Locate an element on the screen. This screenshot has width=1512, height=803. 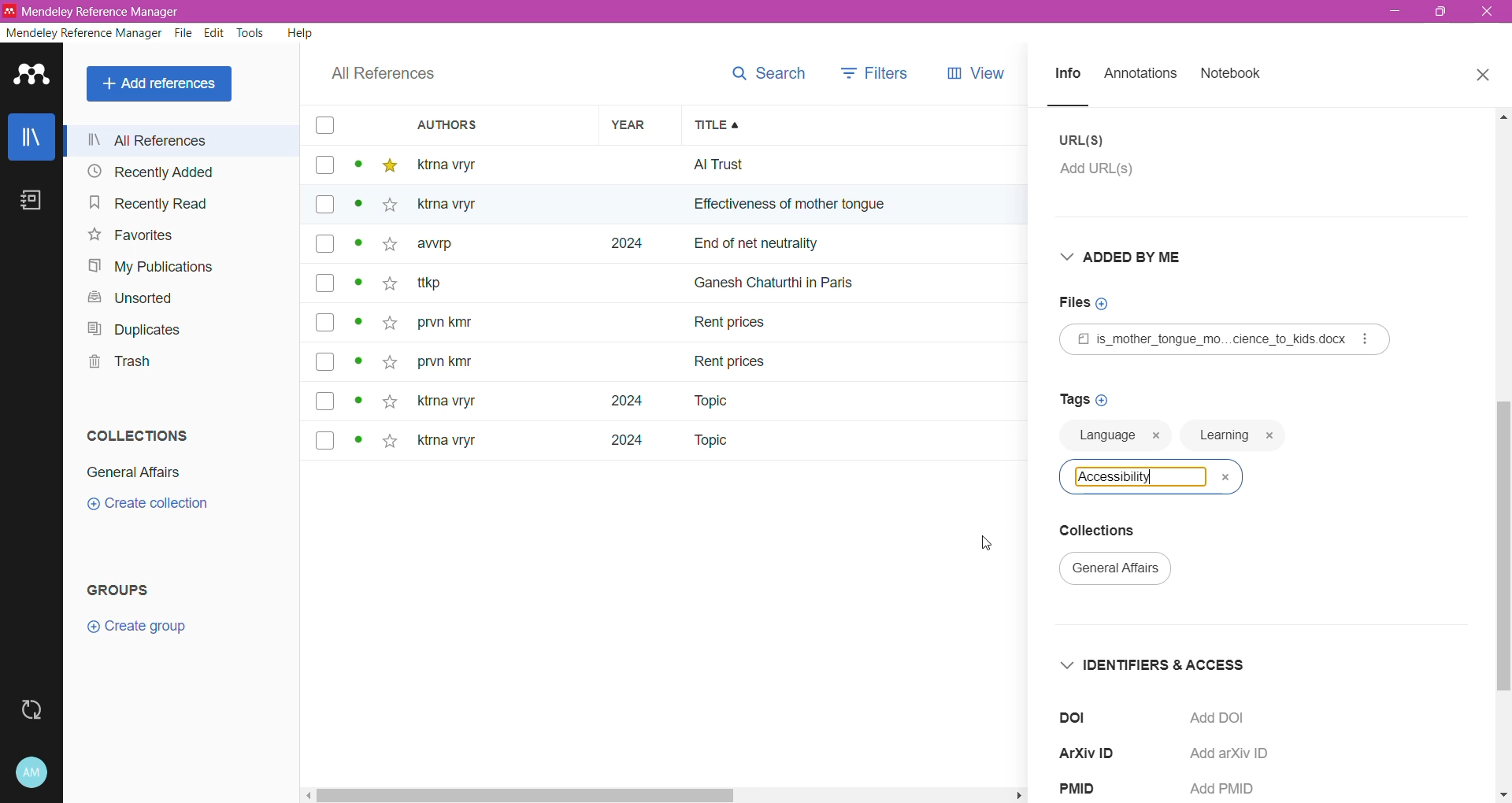
ktna vryt  is located at coordinates (443, 402).